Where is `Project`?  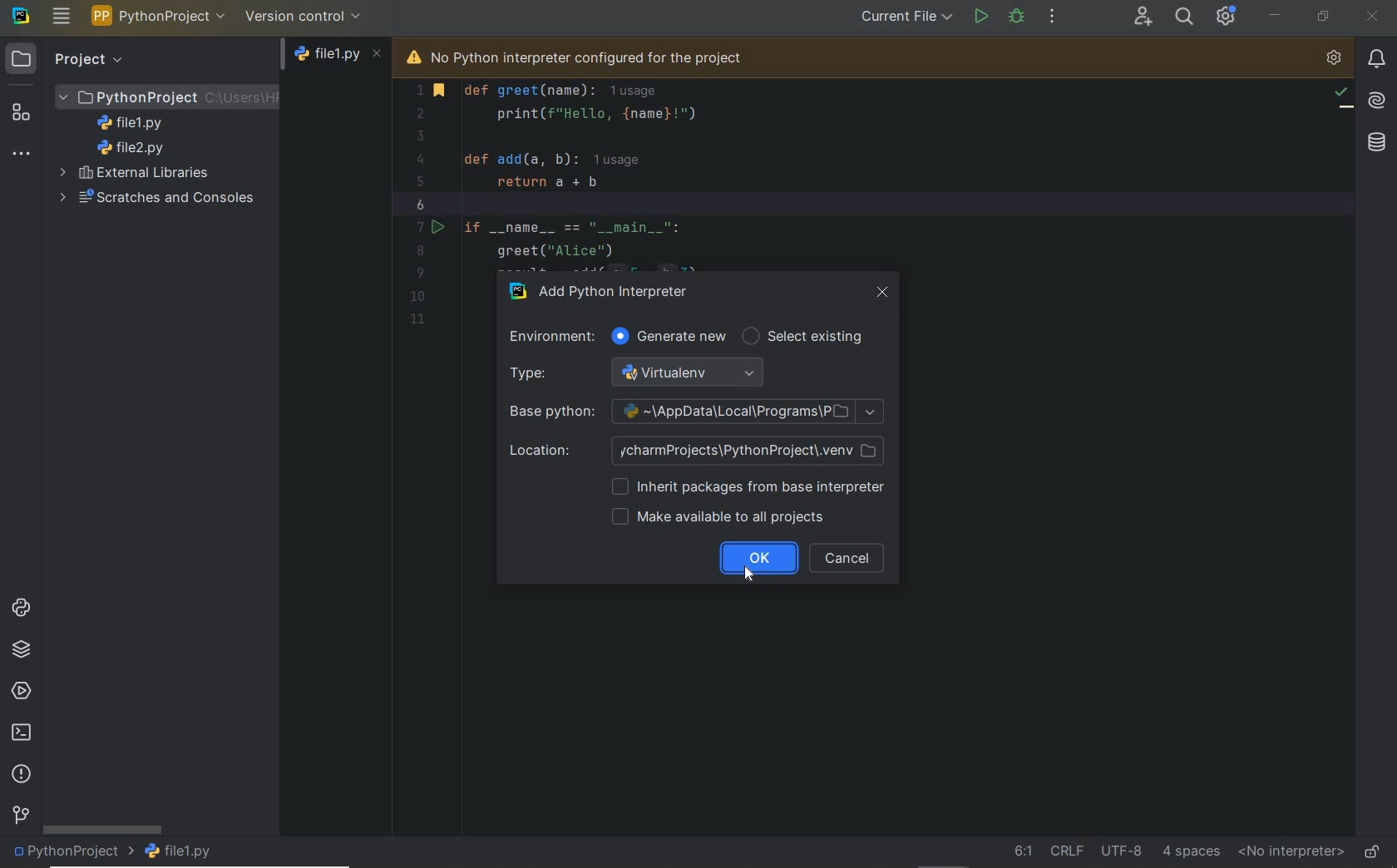
Project is located at coordinates (168, 96).